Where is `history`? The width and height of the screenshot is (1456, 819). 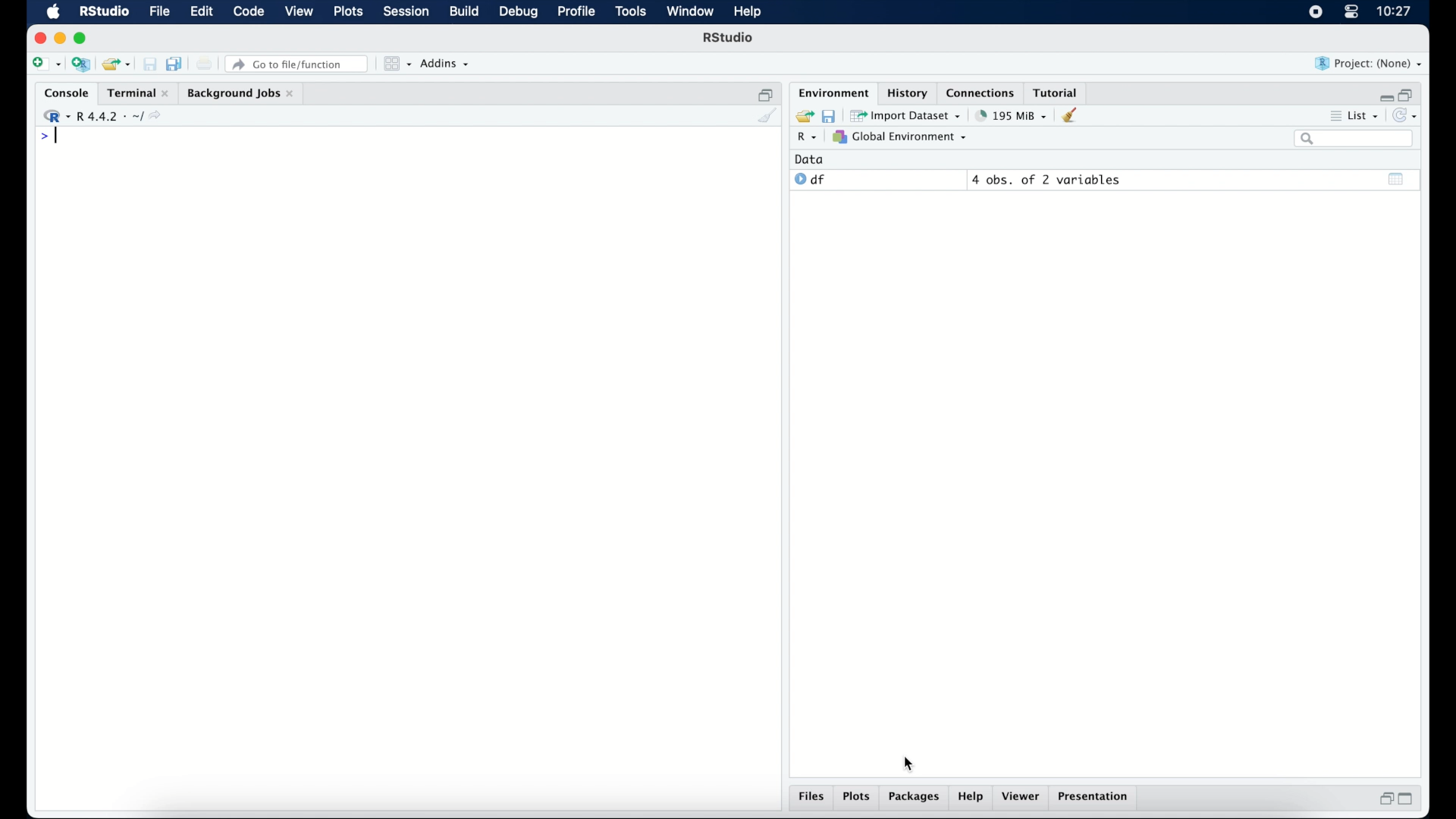
history is located at coordinates (906, 92).